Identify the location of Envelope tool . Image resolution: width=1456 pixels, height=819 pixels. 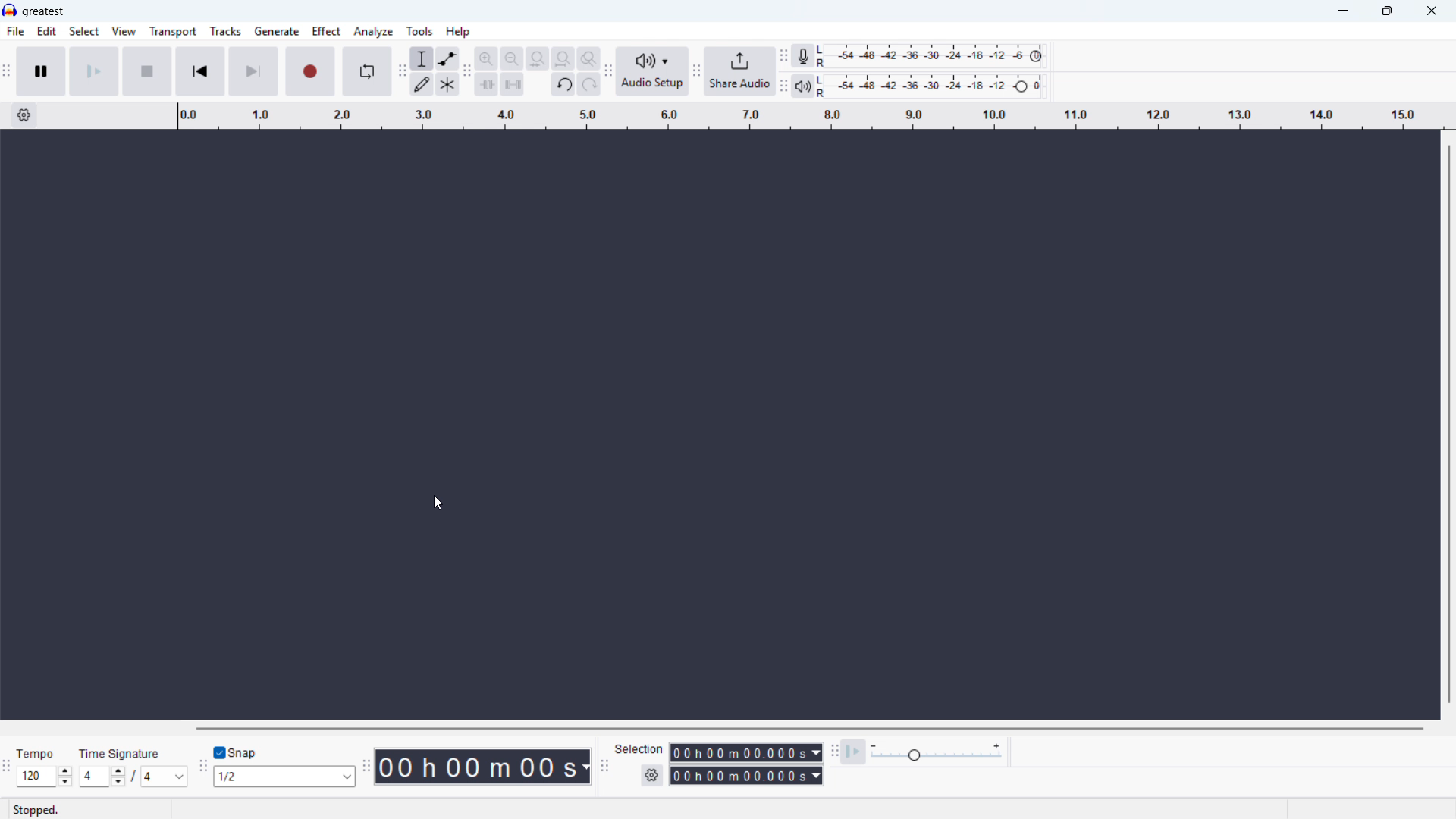
(448, 58).